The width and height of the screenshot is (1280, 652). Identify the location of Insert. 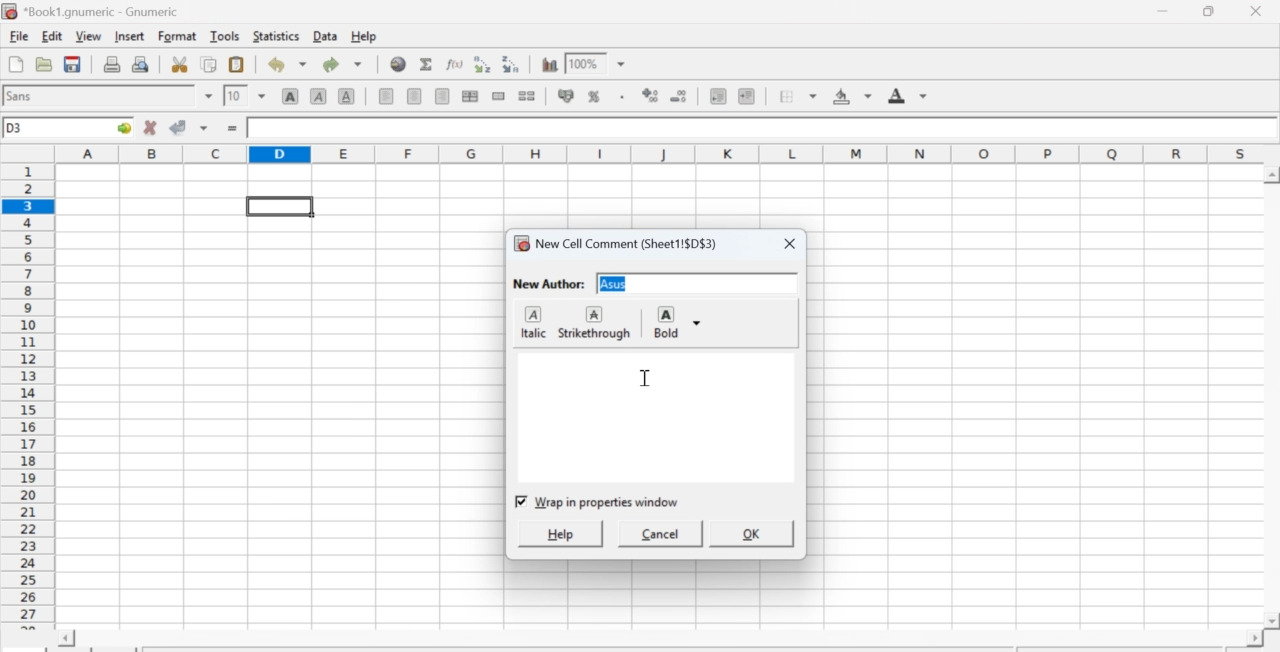
(130, 35).